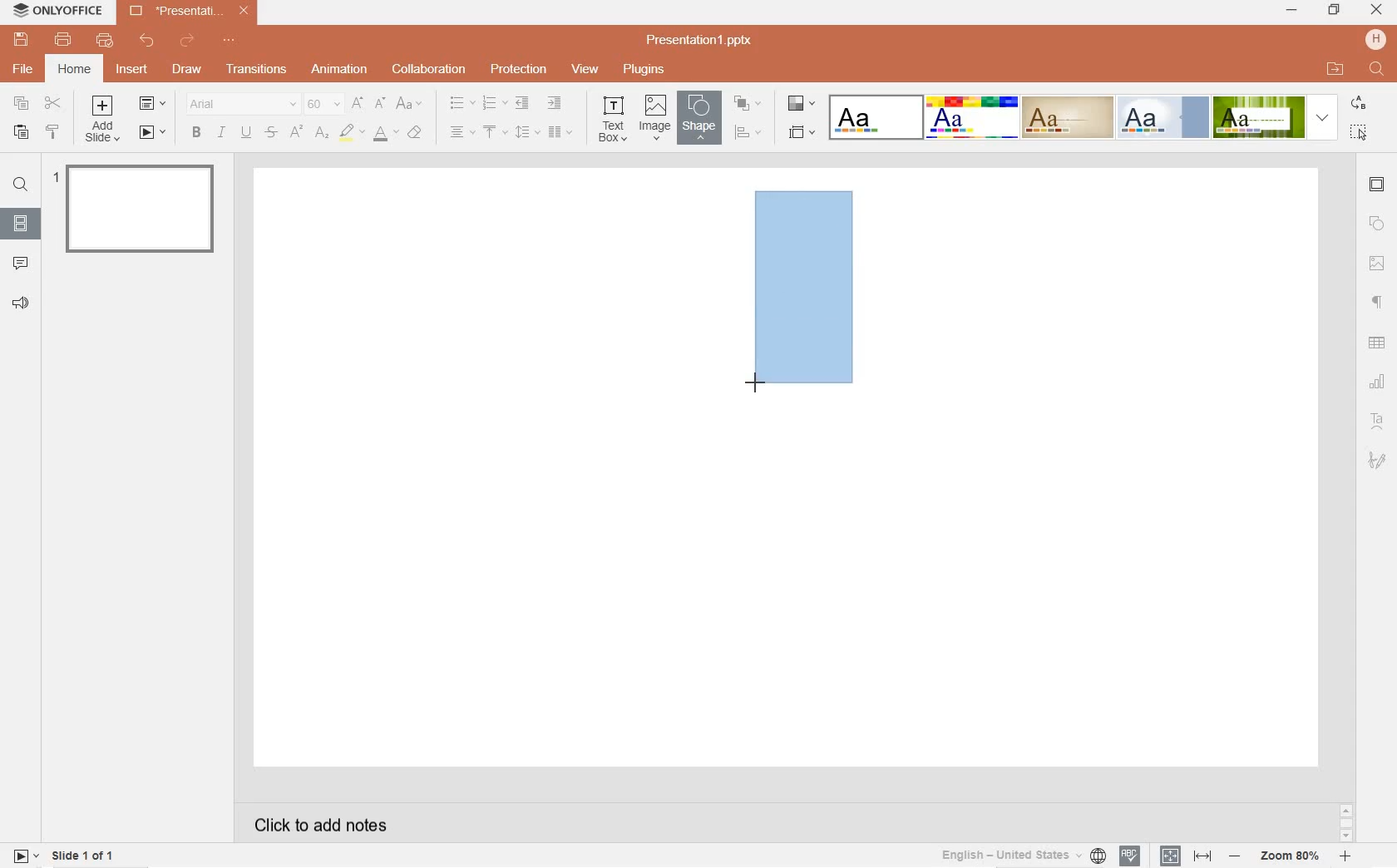 This screenshot has width=1397, height=868. I want to click on font name: Arial, so click(239, 104).